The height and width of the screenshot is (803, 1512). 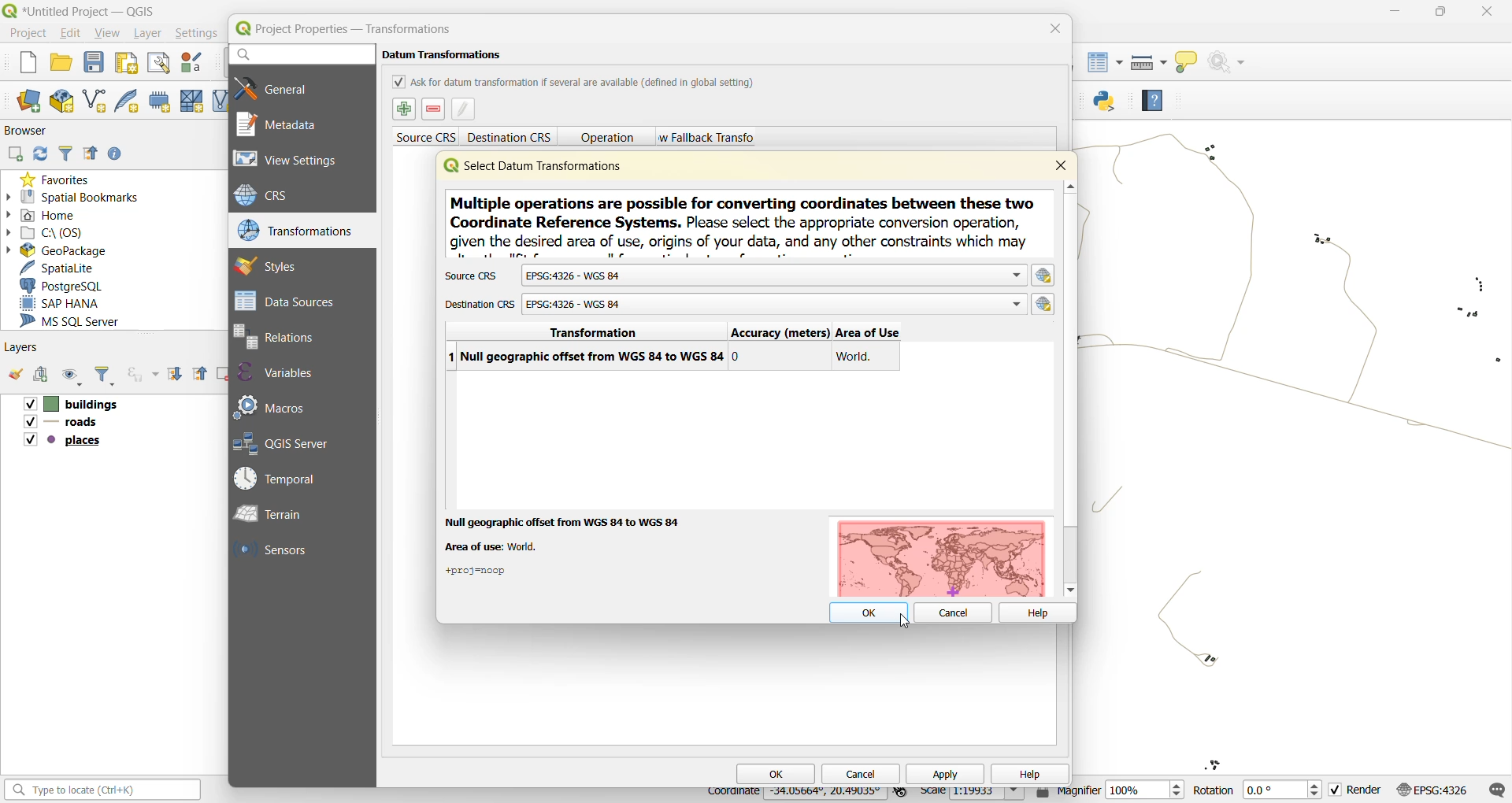 I want to click on relations, so click(x=288, y=336).